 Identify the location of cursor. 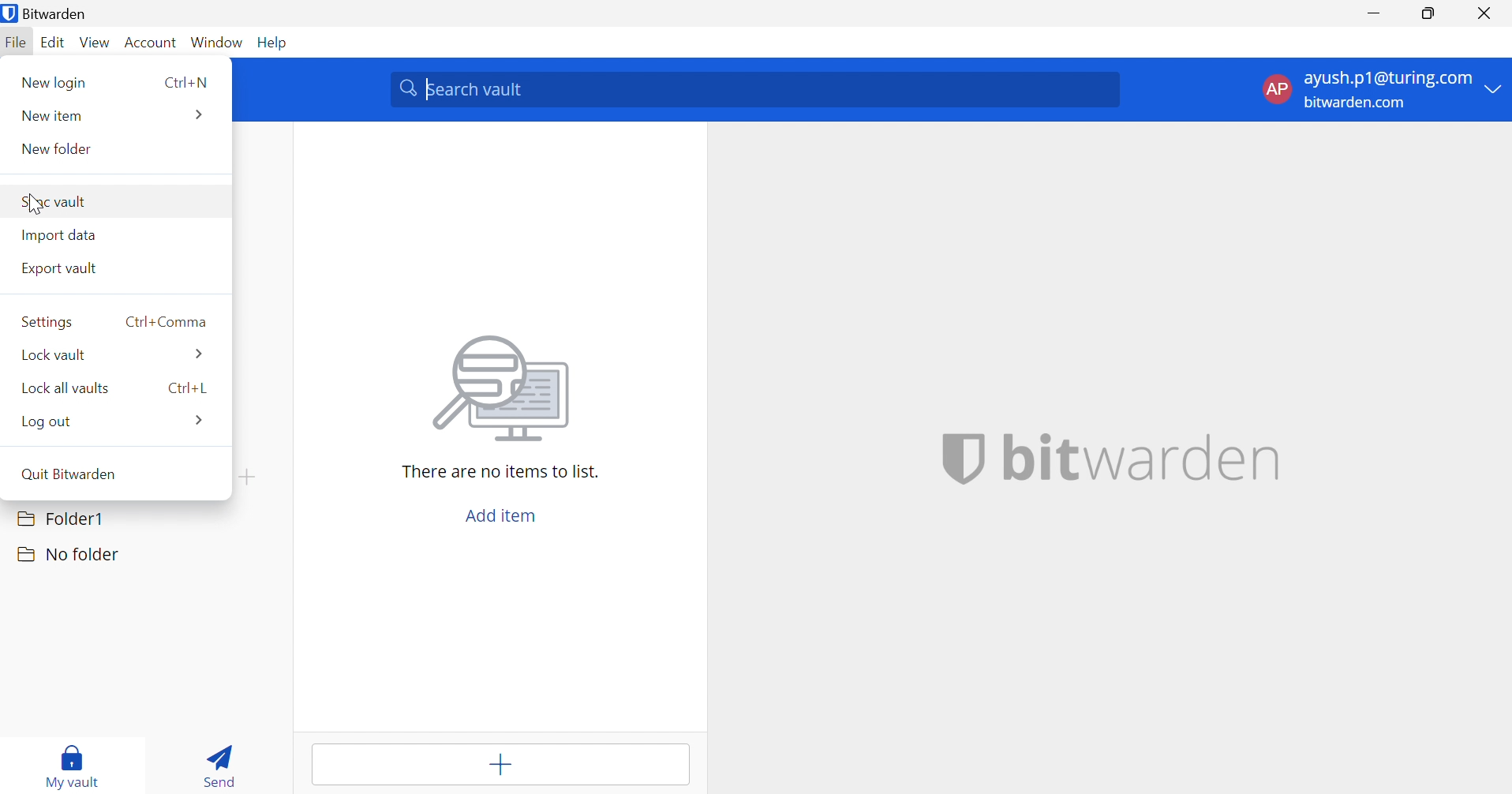
(34, 206).